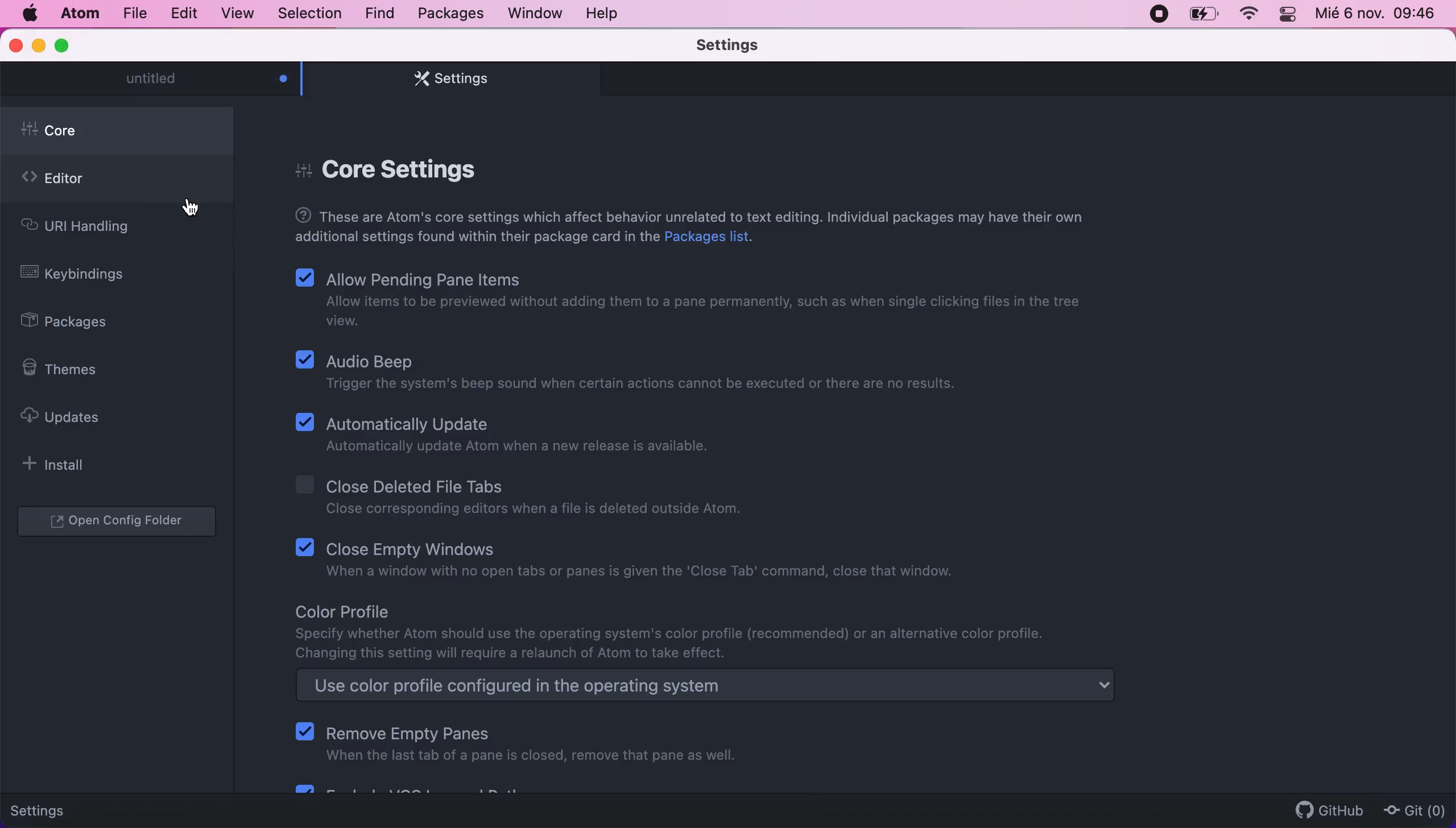 The image size is (1456, 828). I want to click on packages, so click(75, 321).